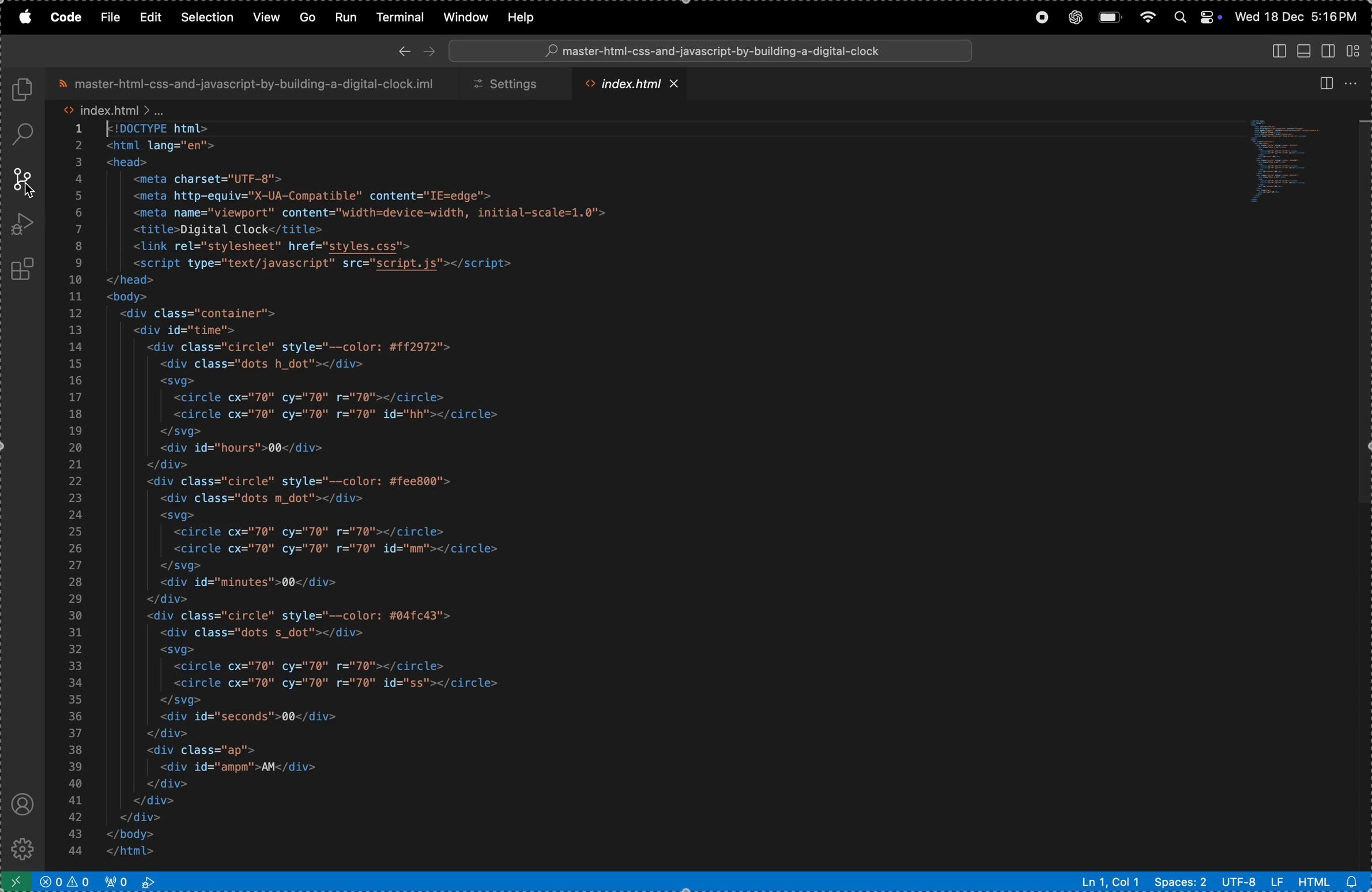  Describe the element at coordinates (251, 583) in the screenshot. I see `<div id="minutes">00</div>` at that location.